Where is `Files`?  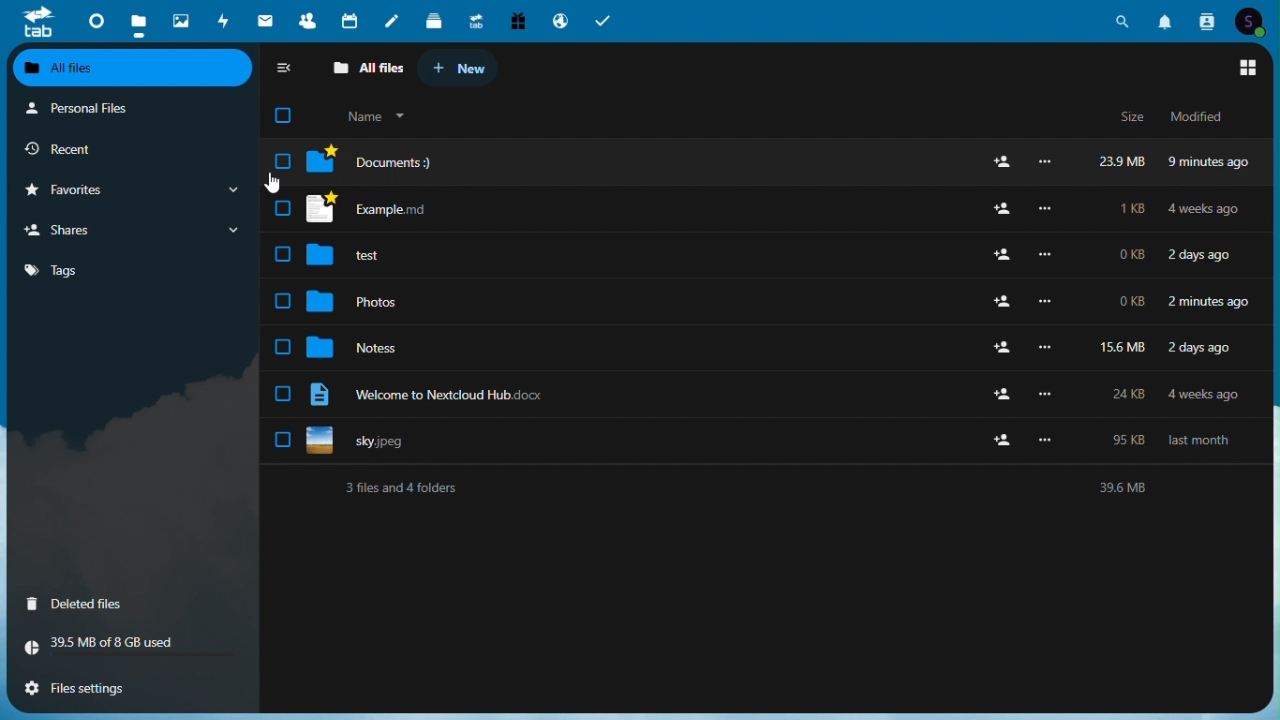
Files is located at coordinates (784, 209).